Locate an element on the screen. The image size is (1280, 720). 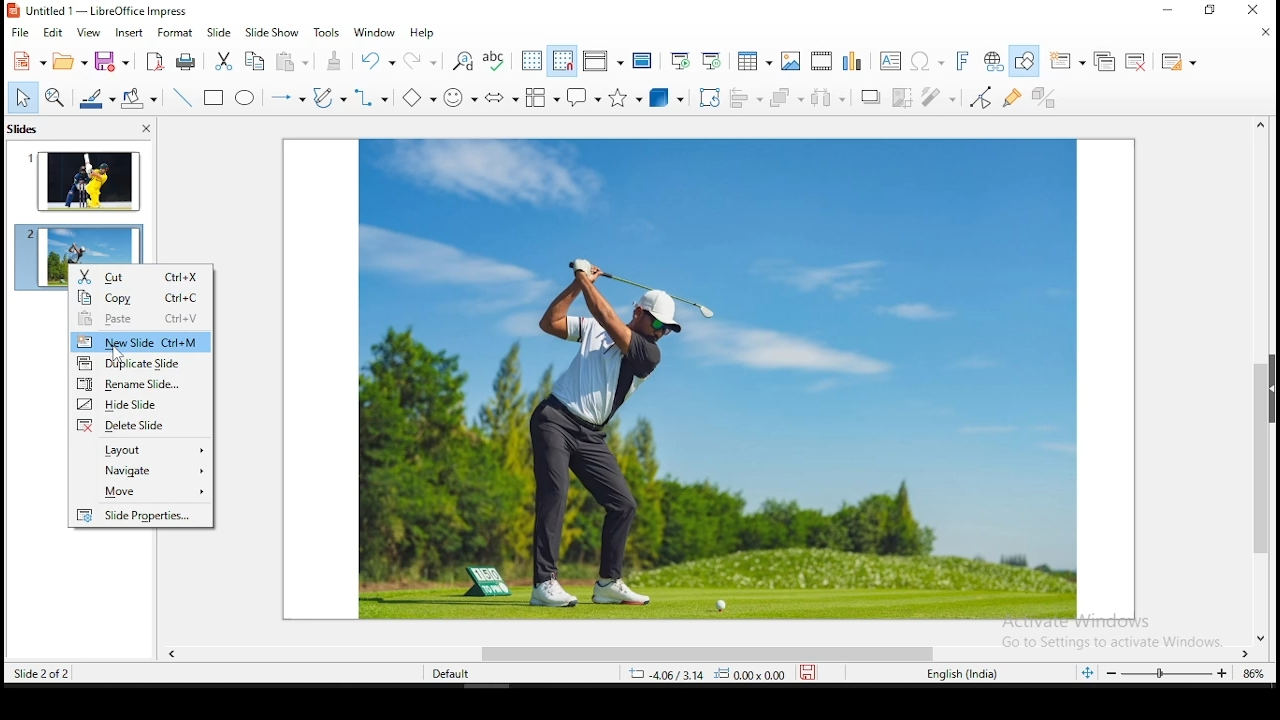
fit slide to current window is located at coordinates (1089, 670).